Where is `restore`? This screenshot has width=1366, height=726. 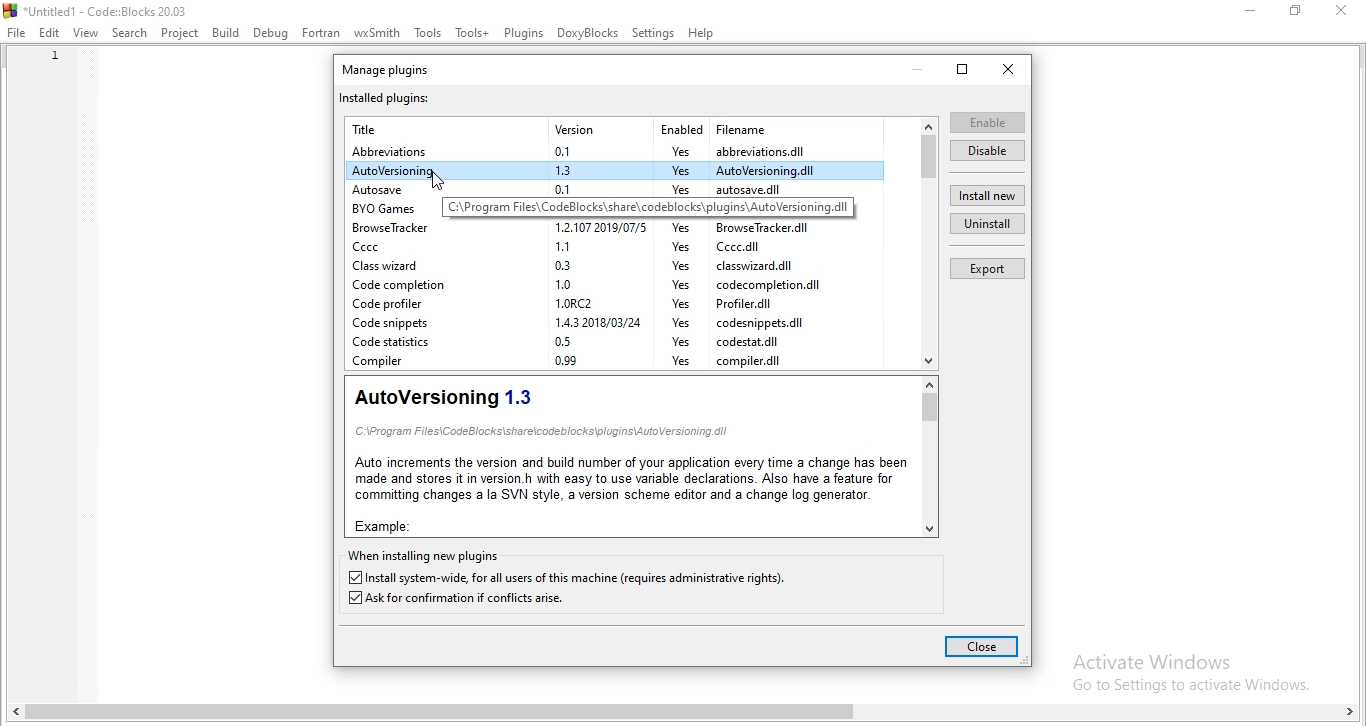 restore is located at coordinates (964, 70).